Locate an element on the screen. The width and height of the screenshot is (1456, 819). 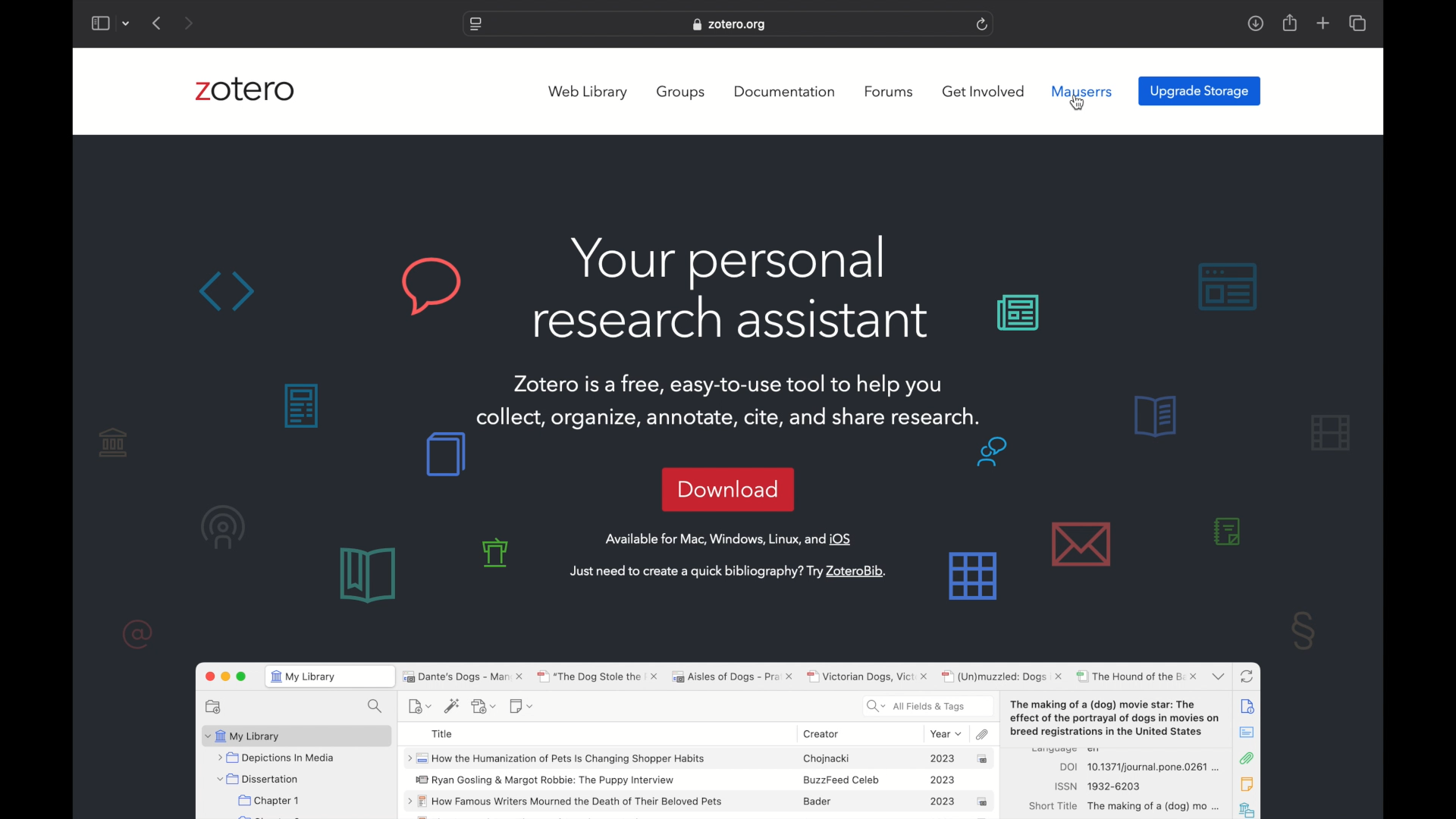
background graphics is located at coordinates (1132, 293).